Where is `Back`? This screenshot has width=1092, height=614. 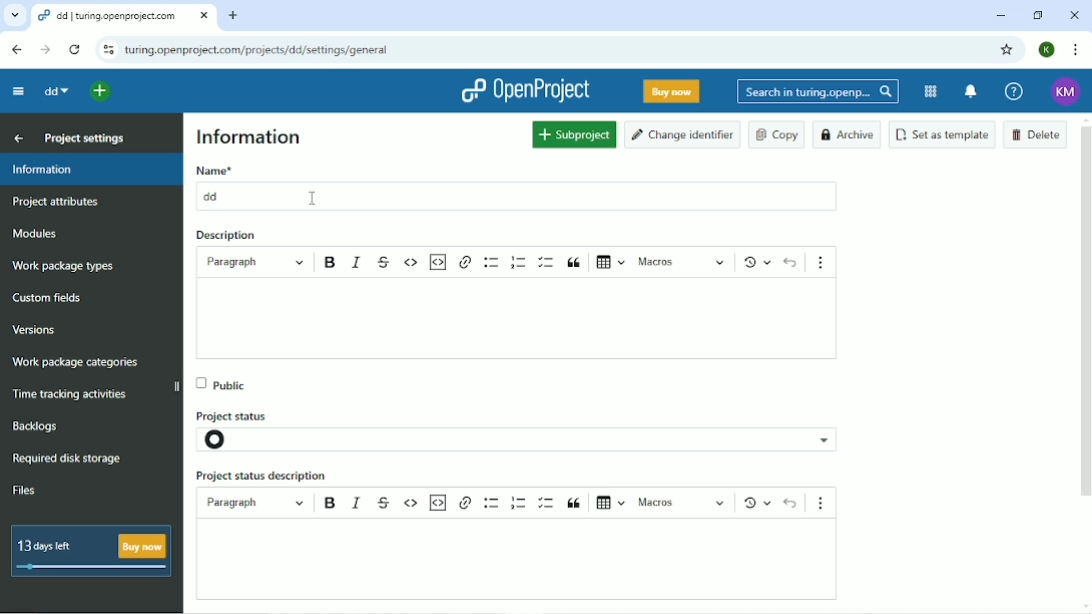
Back is located at coordinates (16, 138).